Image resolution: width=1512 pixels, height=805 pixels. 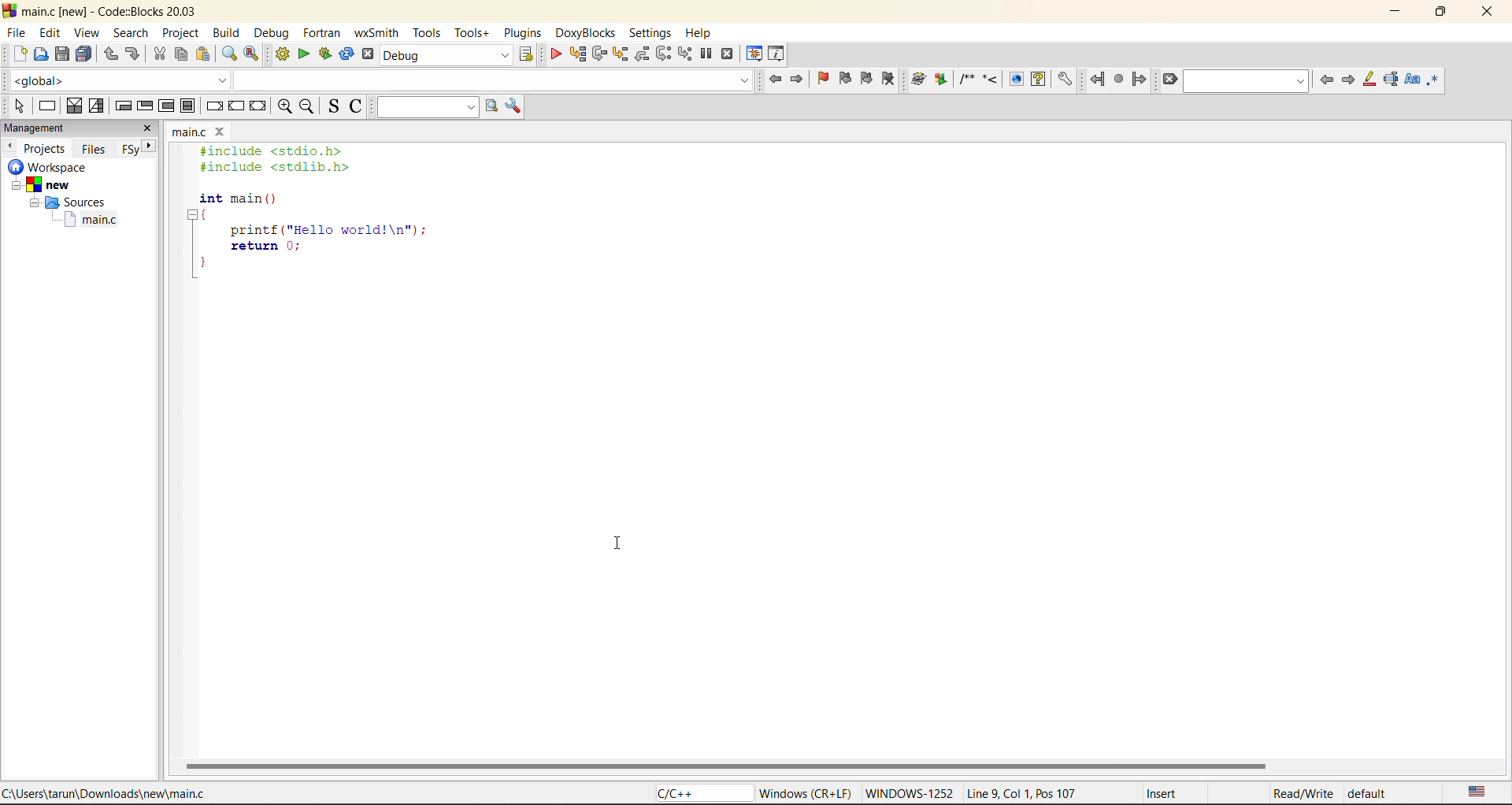 What do you see at coordinates (182, 54) in the screenshot?
I see `copy` at bounding box center [182, 54].